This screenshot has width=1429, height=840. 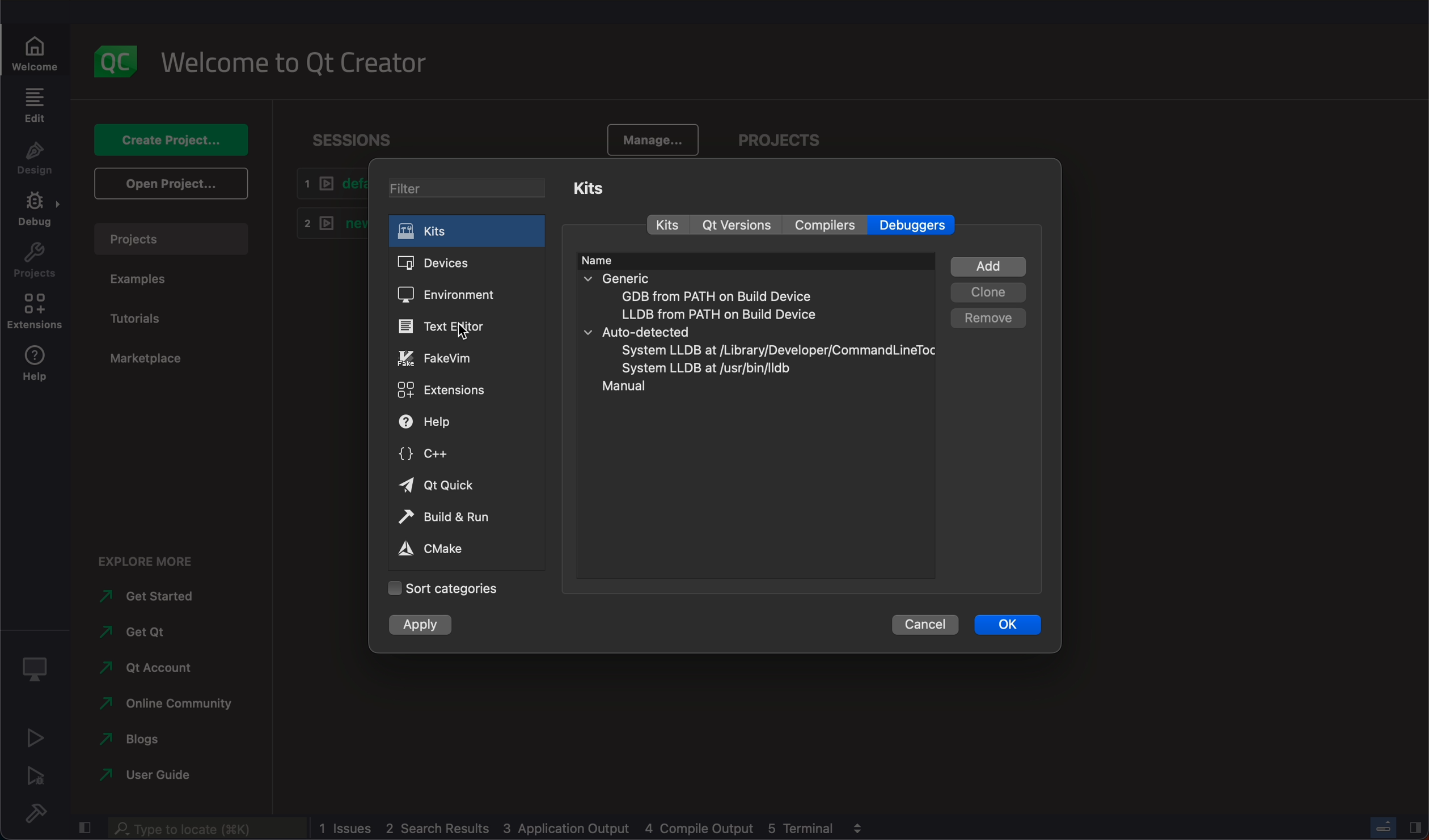 What do you see at coordinates (465, 485) in the screenshot?
I see `qt quick` at bounding box center [465, 485].